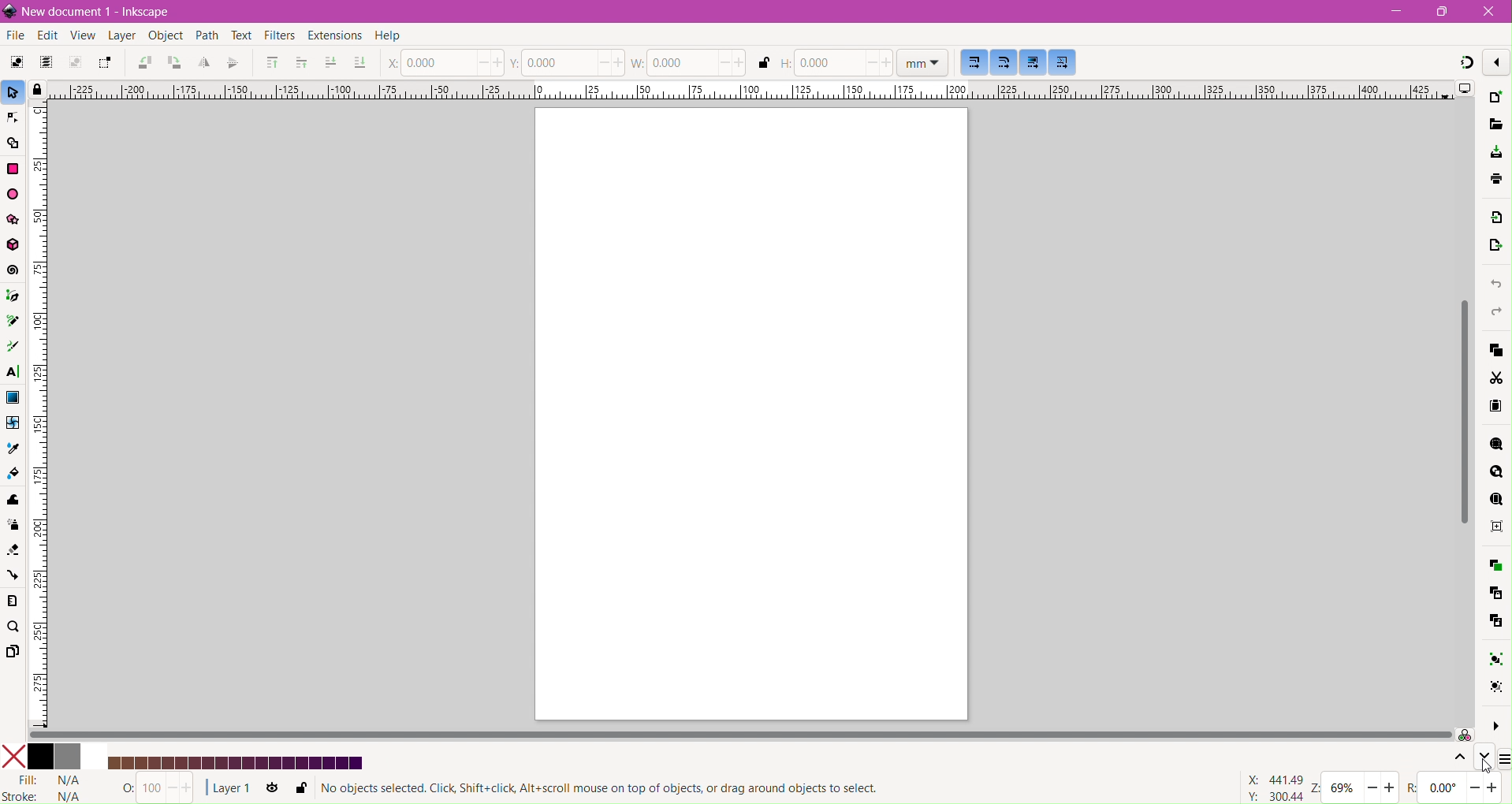 The image size is (1512, 804). I want to click on Move gradients along with the objects, so click(1032, 62).